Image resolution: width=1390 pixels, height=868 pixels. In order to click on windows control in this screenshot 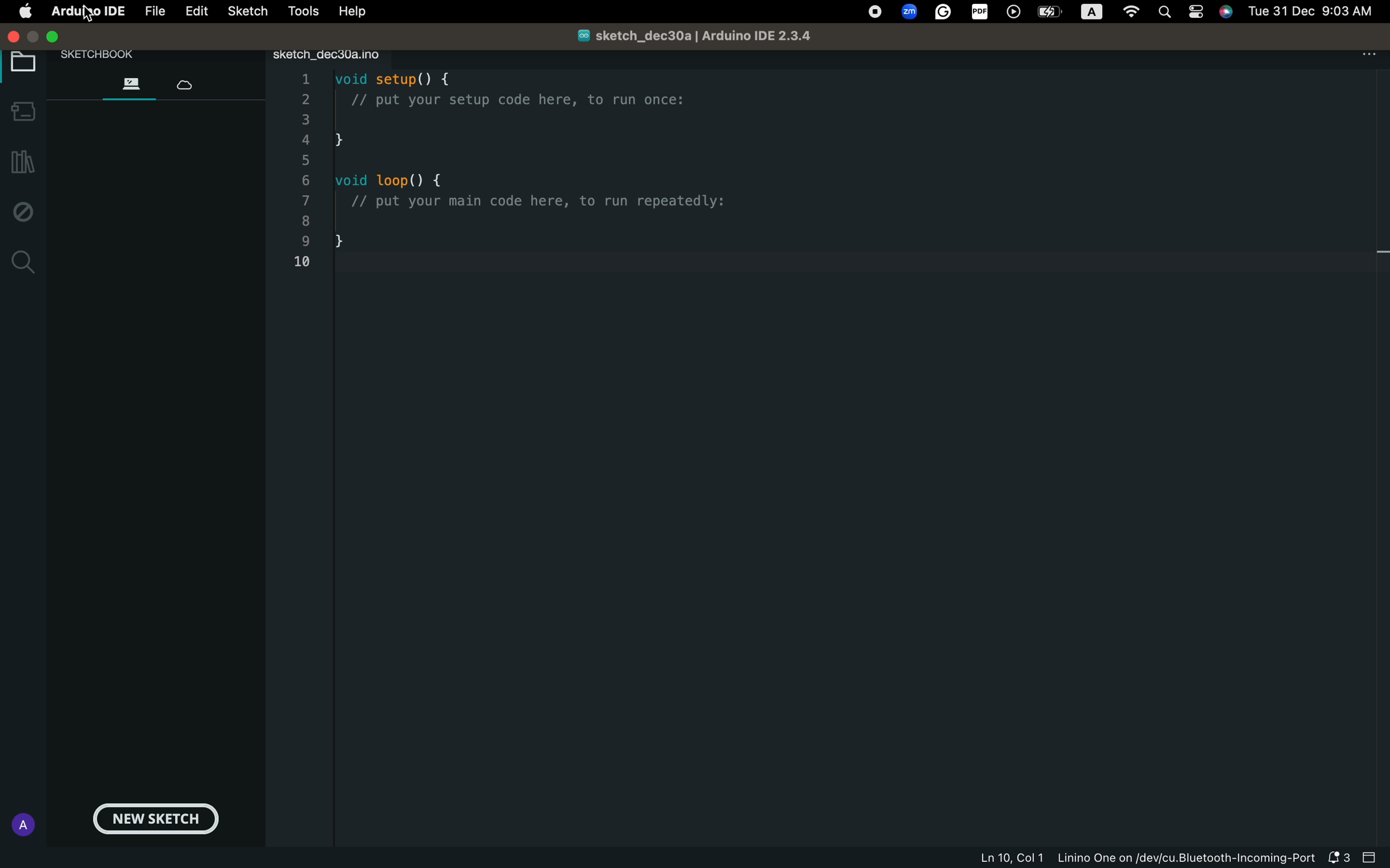, I will do `click(55, 37)`.